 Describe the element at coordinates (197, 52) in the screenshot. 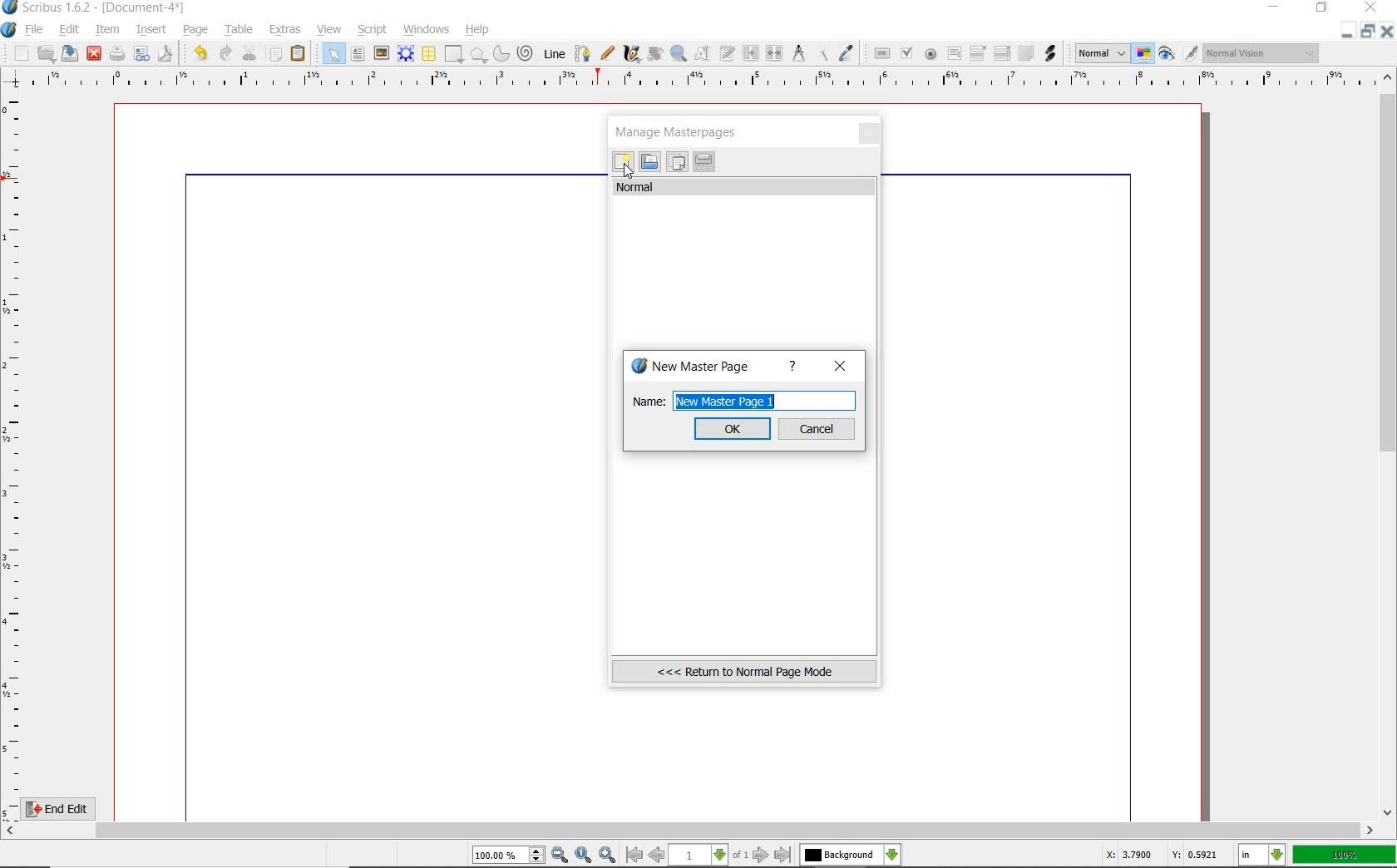

I see `undo` at that location.